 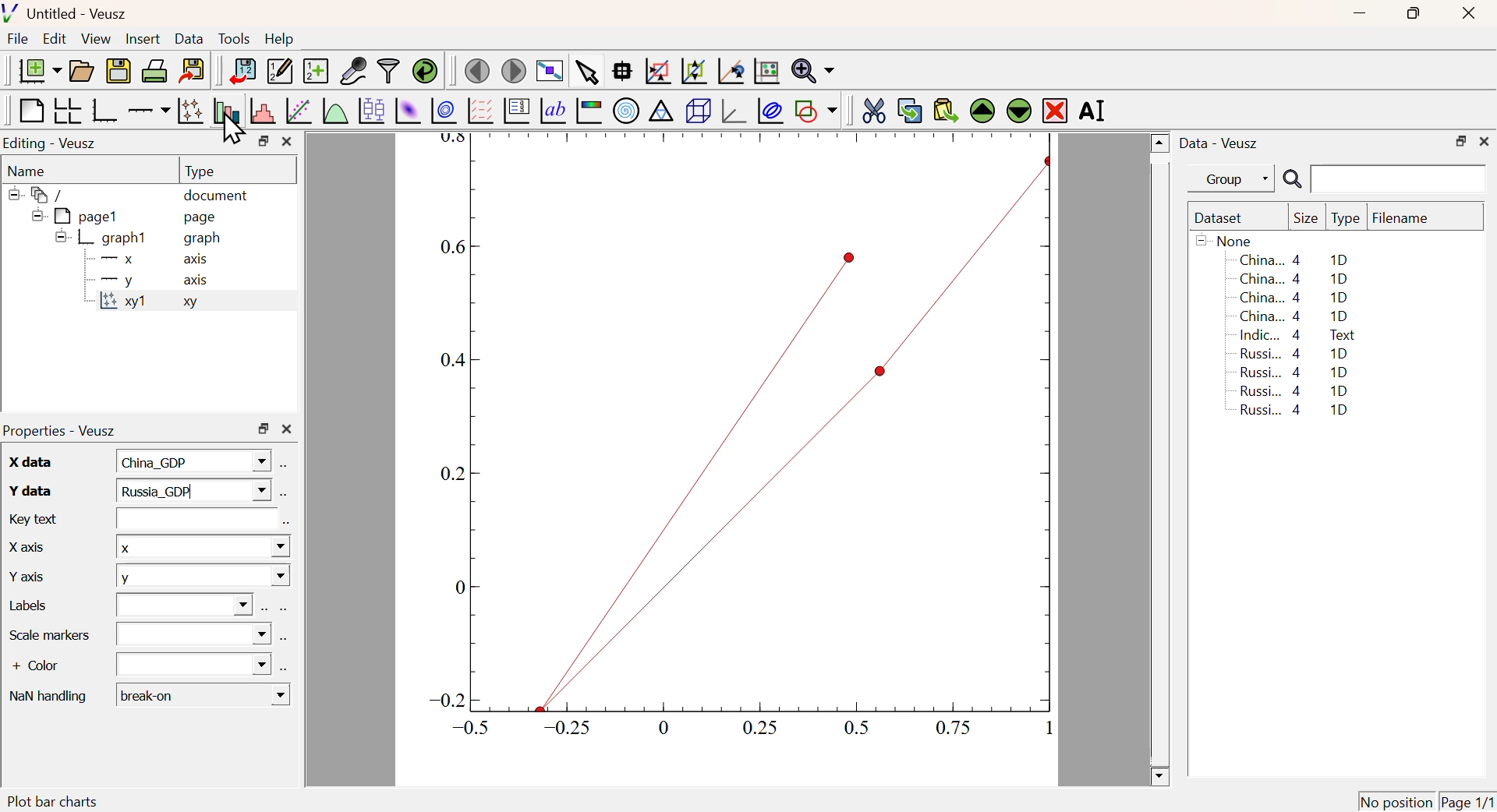 What do you see at coordinates (263, 141) in the screenshot?
I see `Restore Down` at bounding box center [263, 141].